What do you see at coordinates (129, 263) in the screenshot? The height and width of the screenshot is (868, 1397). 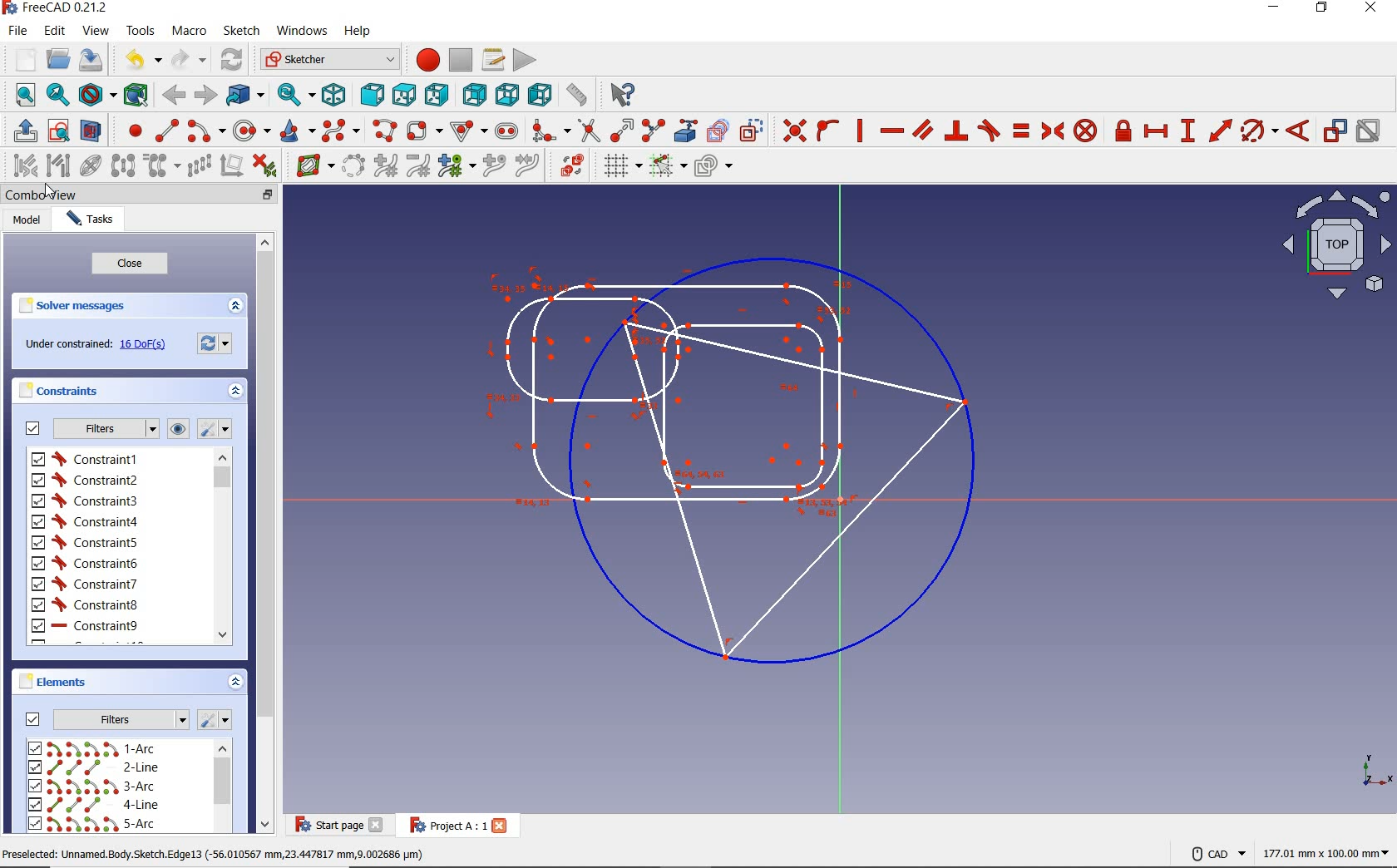 I see `close` at bounding box center [129, 263].